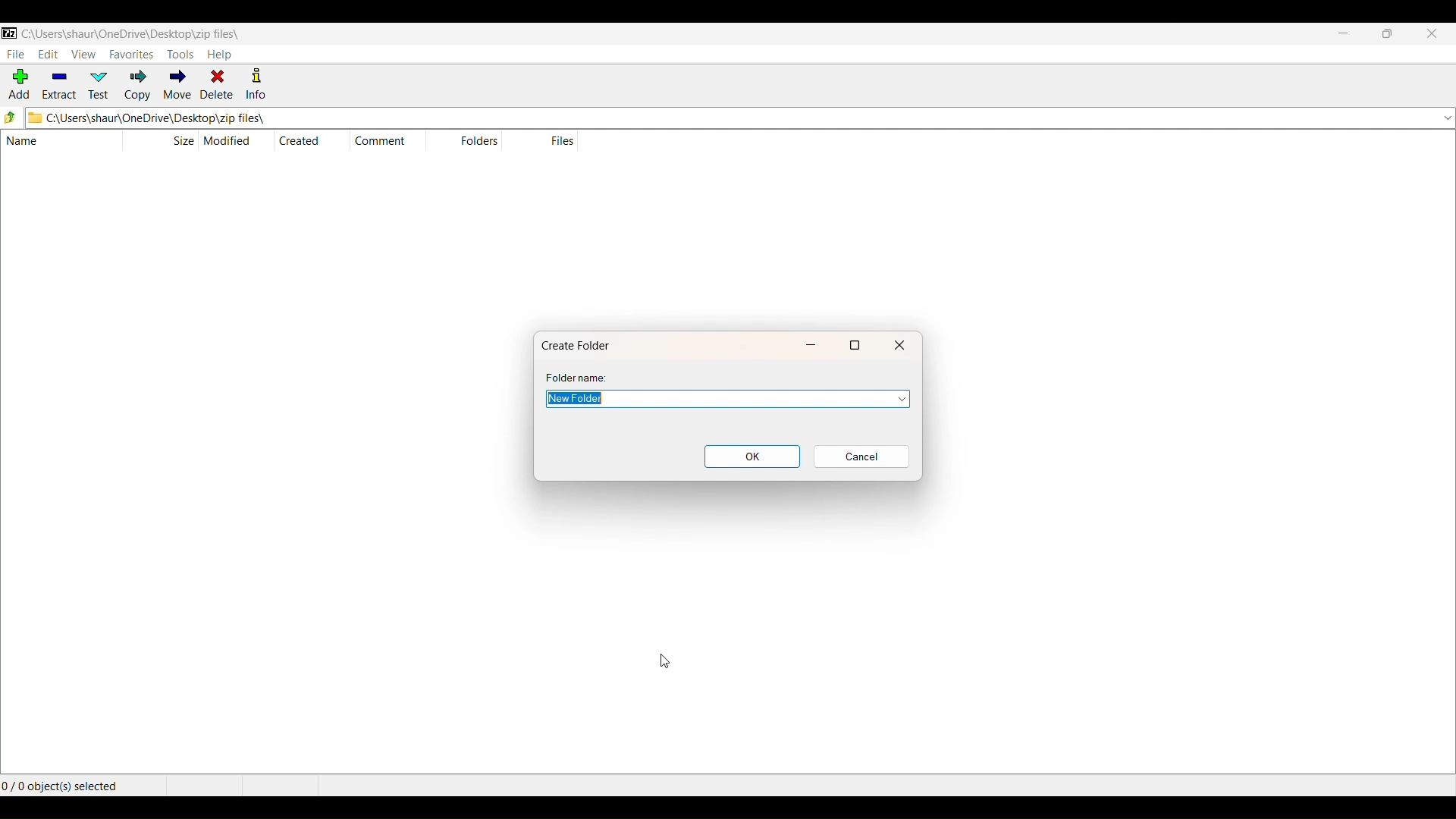  What do you see at coordinates (861, 457) in the screenshot?
I see `cancel` at bounding box center [861, 457].